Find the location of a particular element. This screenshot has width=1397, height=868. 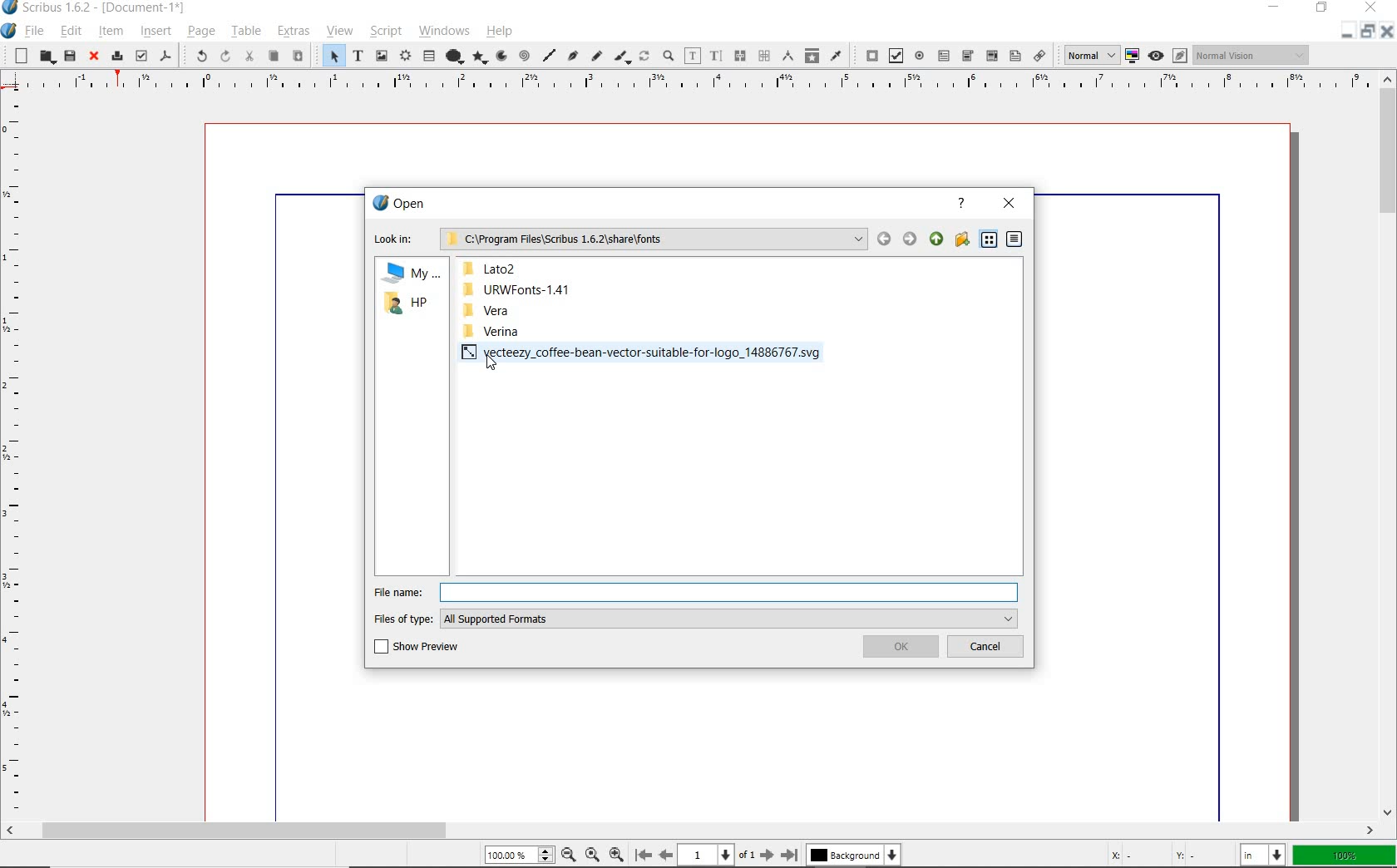

pdf combo box is located at coordinates (967, 56).